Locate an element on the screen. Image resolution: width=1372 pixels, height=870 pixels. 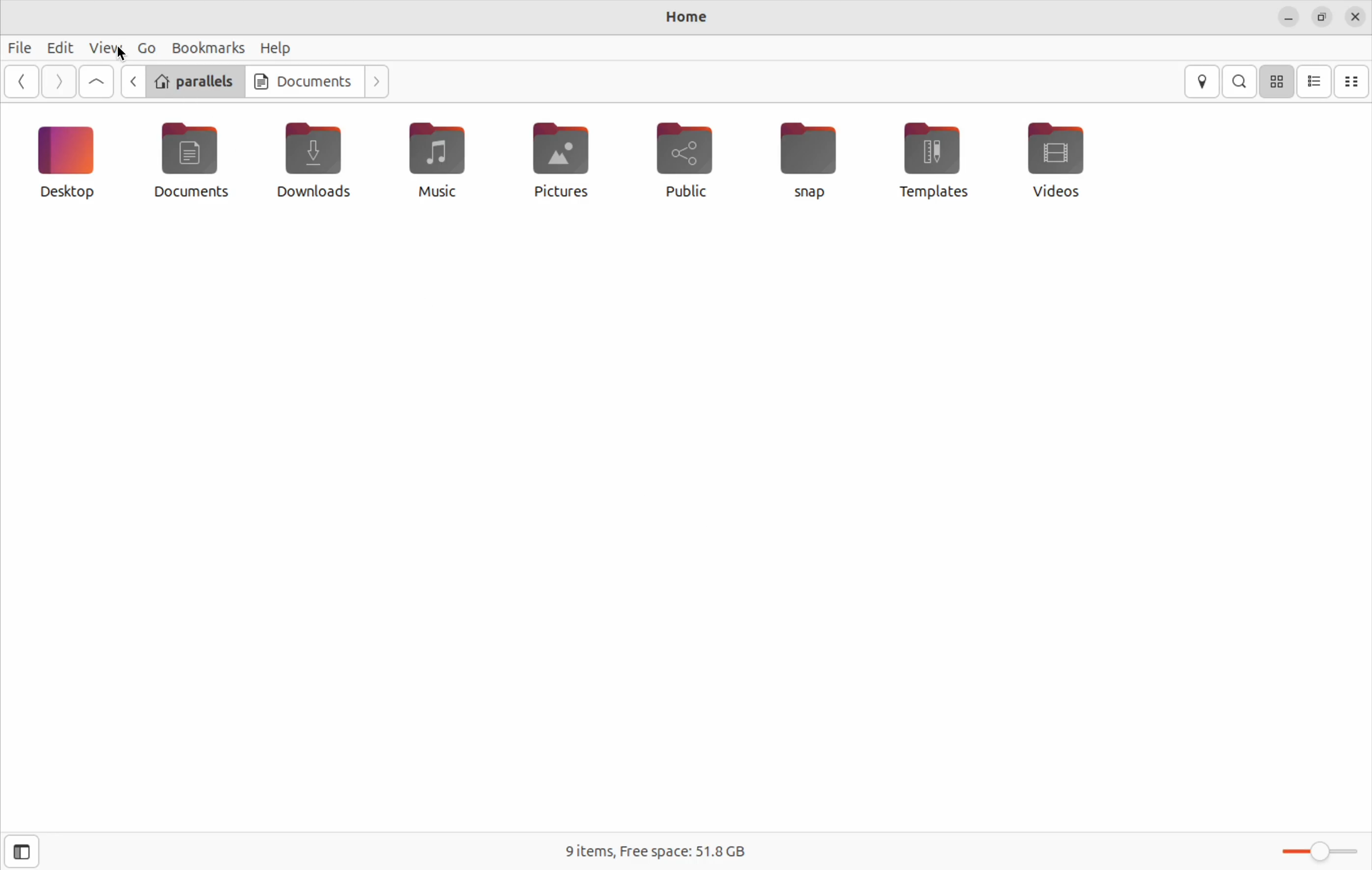
videos is located at coordinates (1064, 159).